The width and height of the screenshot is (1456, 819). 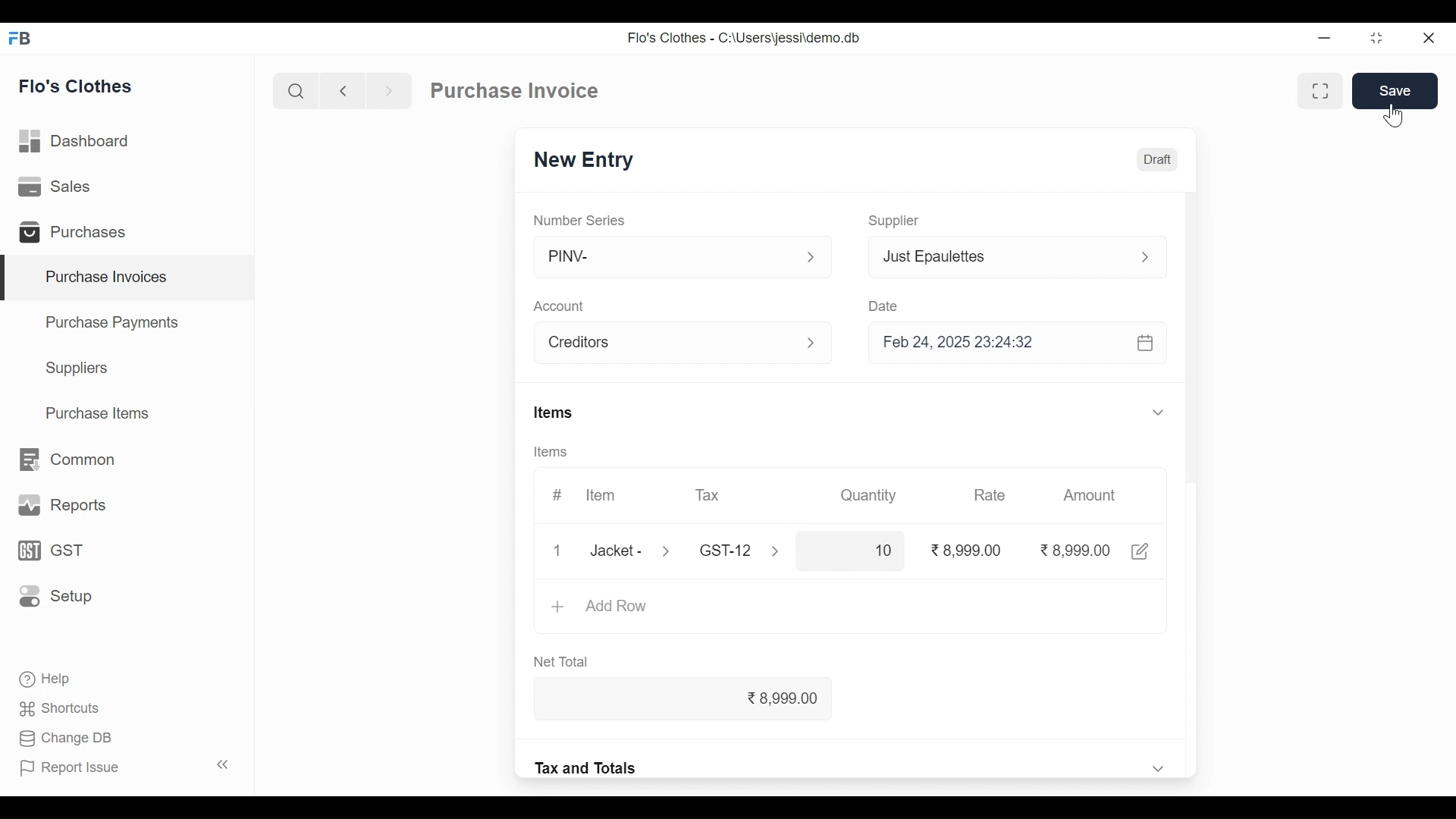 I want to click on Quantity, so click(x=871, y=496).